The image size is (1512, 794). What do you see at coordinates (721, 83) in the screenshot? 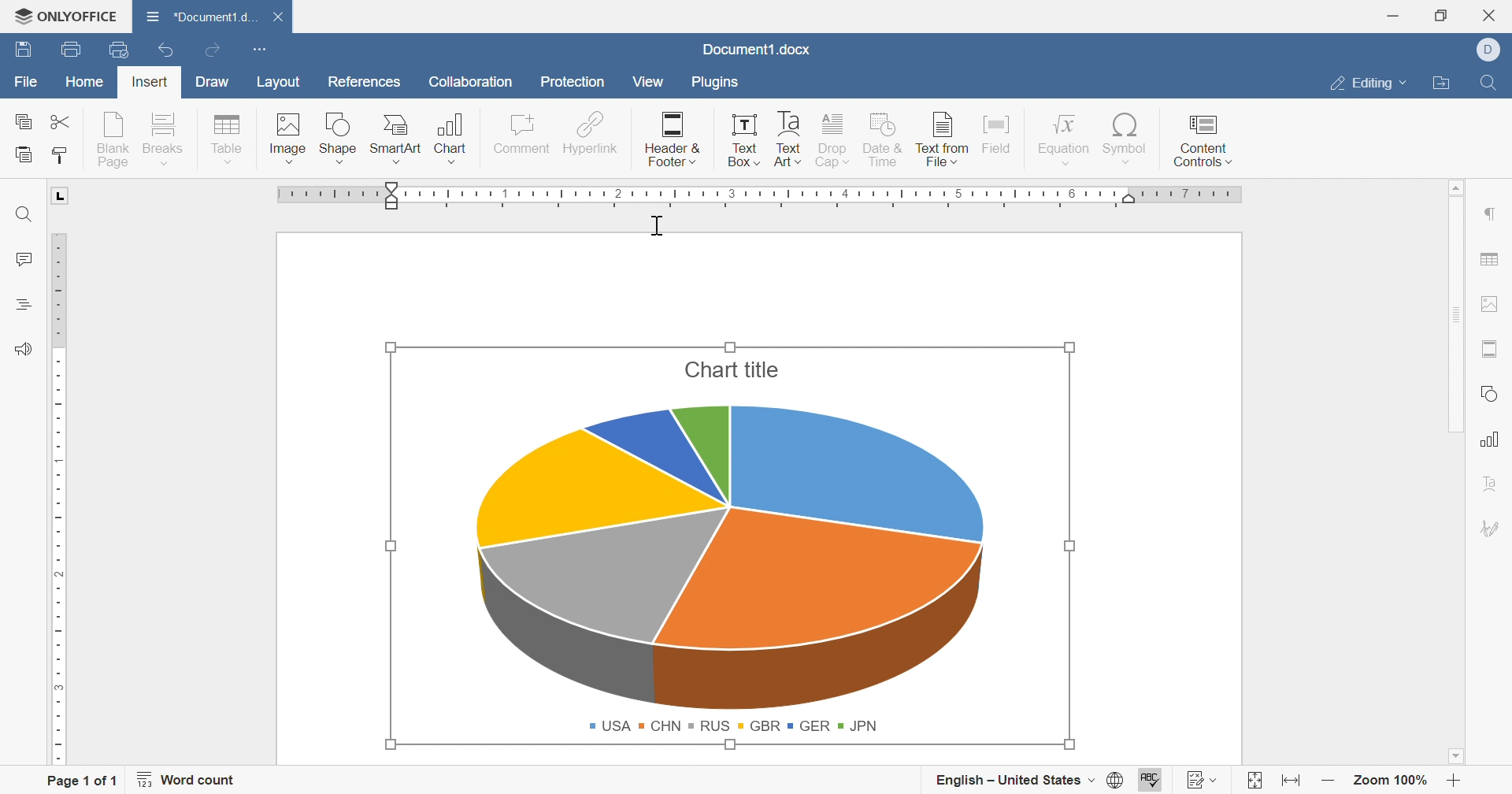
I see `Plugins` at bounding box center [721, 83].